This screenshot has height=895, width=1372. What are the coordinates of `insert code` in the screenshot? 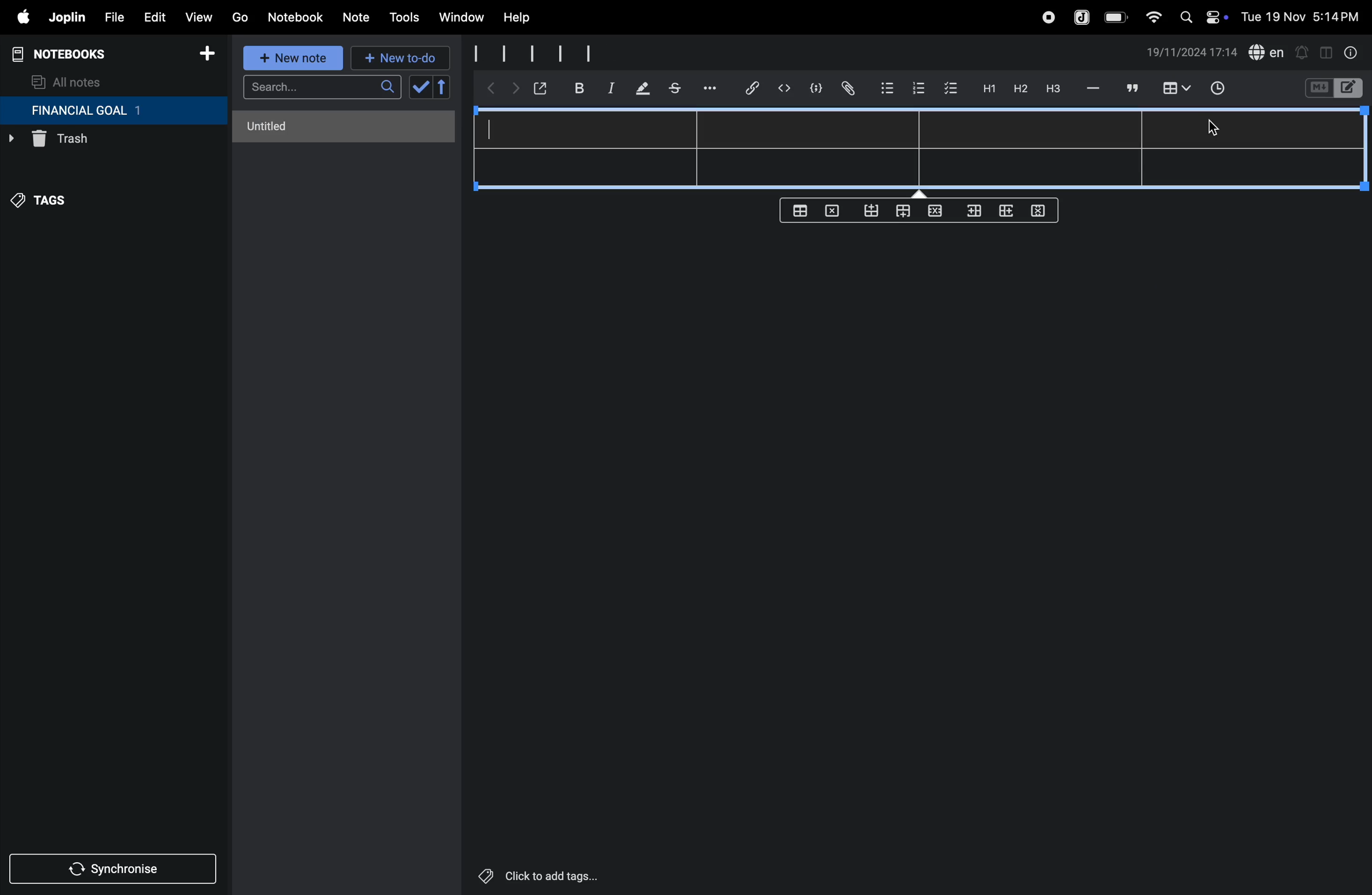 It's located at (785, 88).